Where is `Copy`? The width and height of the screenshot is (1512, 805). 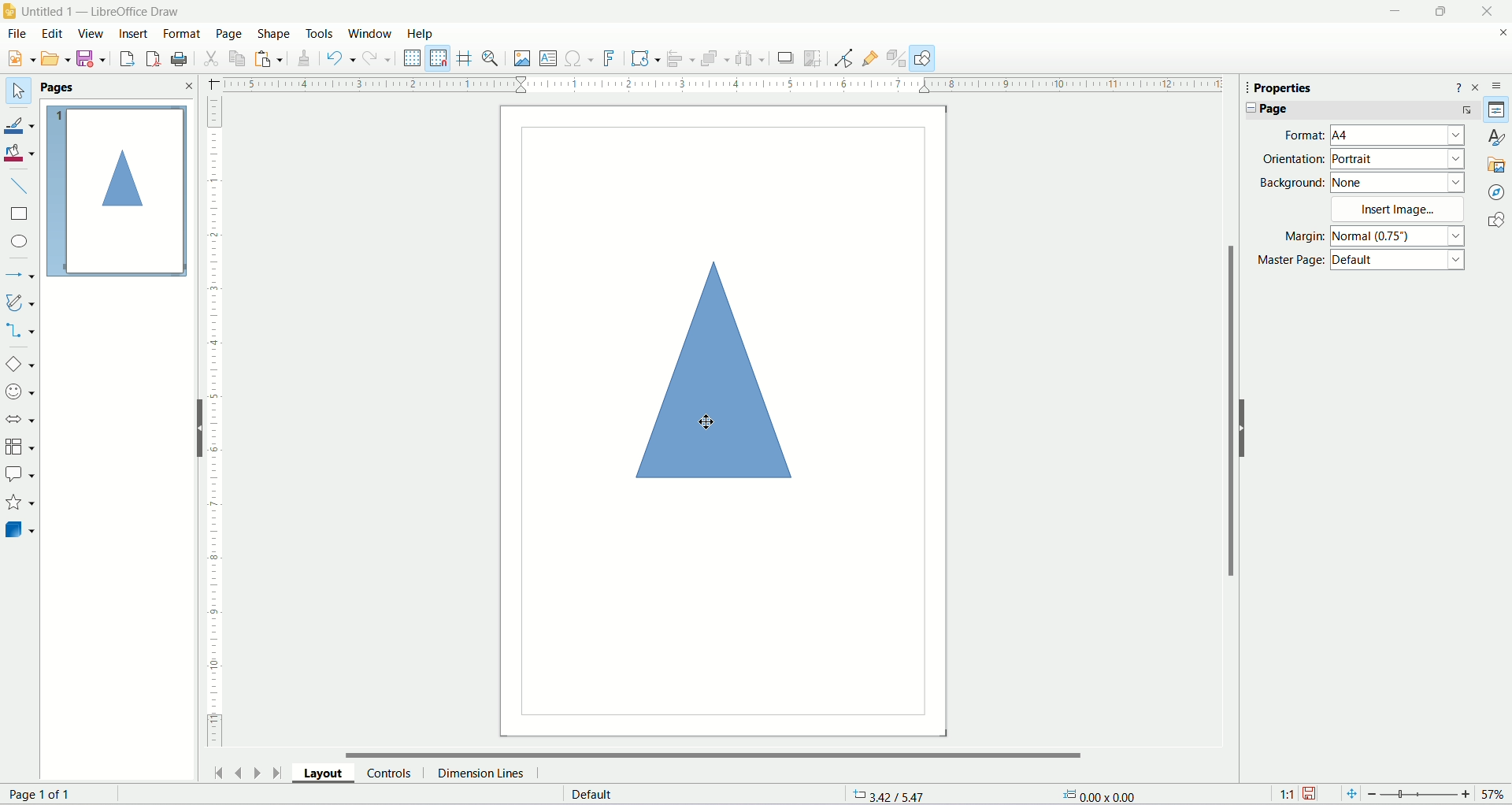 Copy is located at coordinates (237, 58).